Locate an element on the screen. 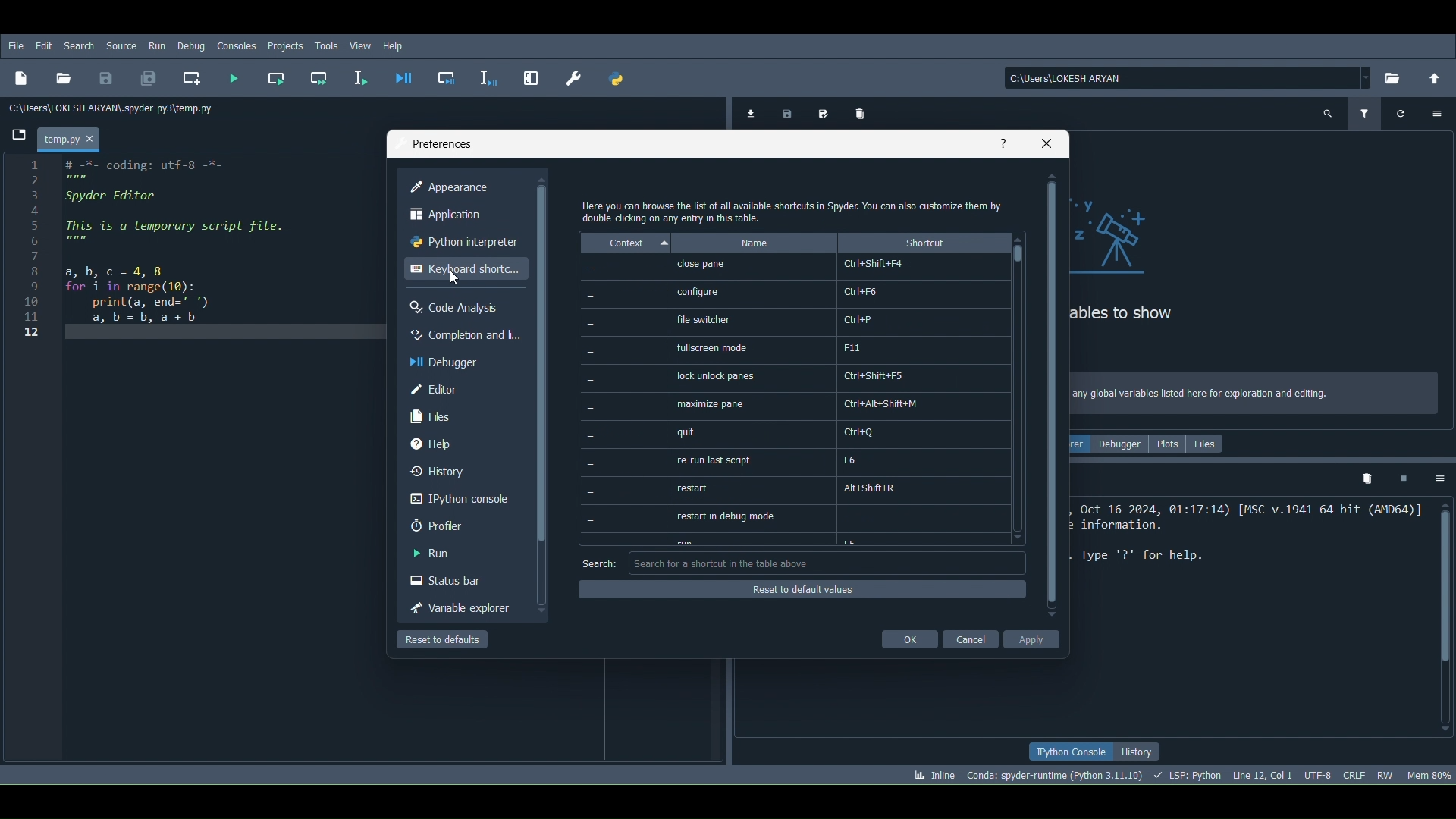  Status bar is located at coordinates (457, 579).